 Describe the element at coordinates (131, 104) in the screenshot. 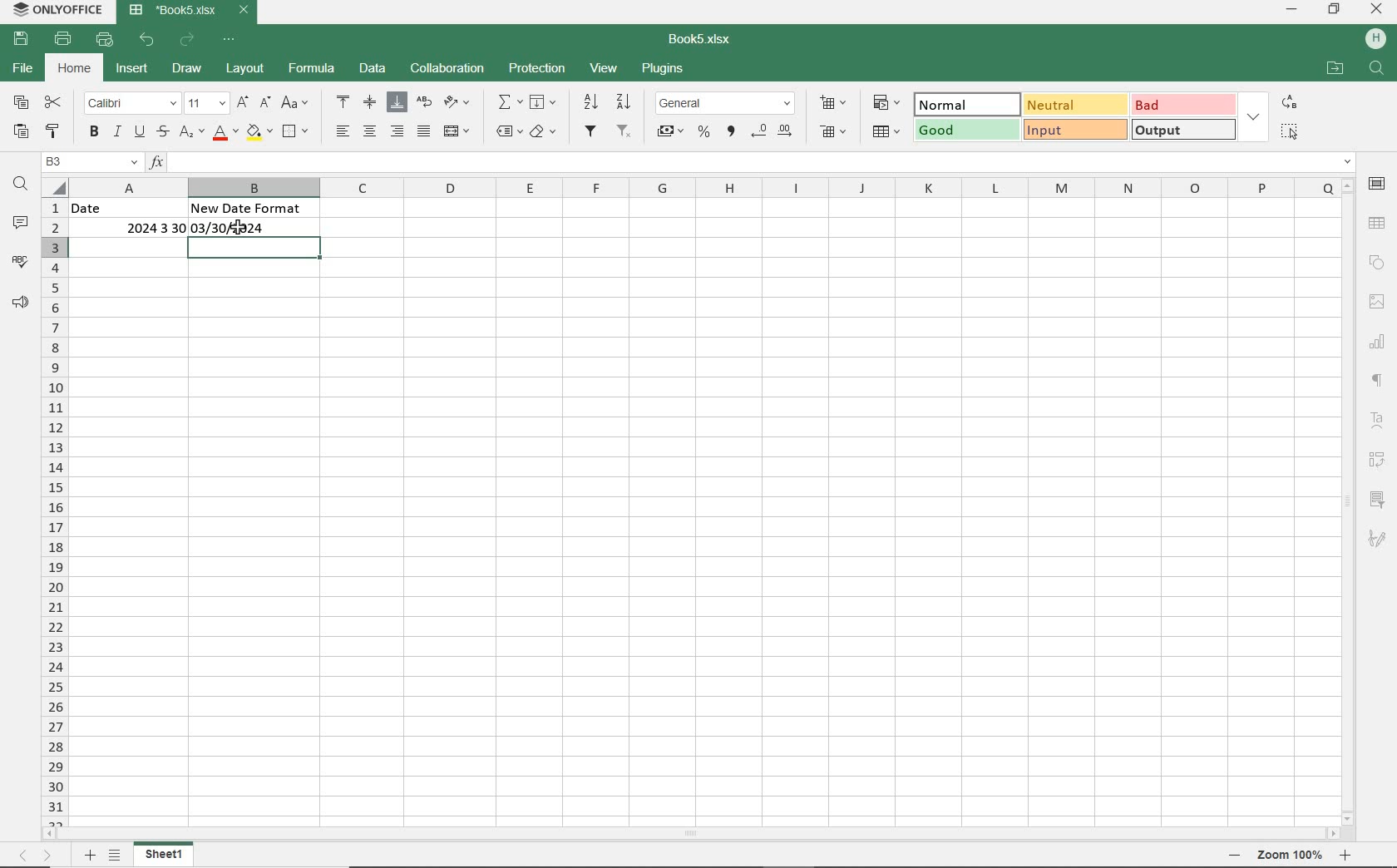

I see `FONT` at that location.